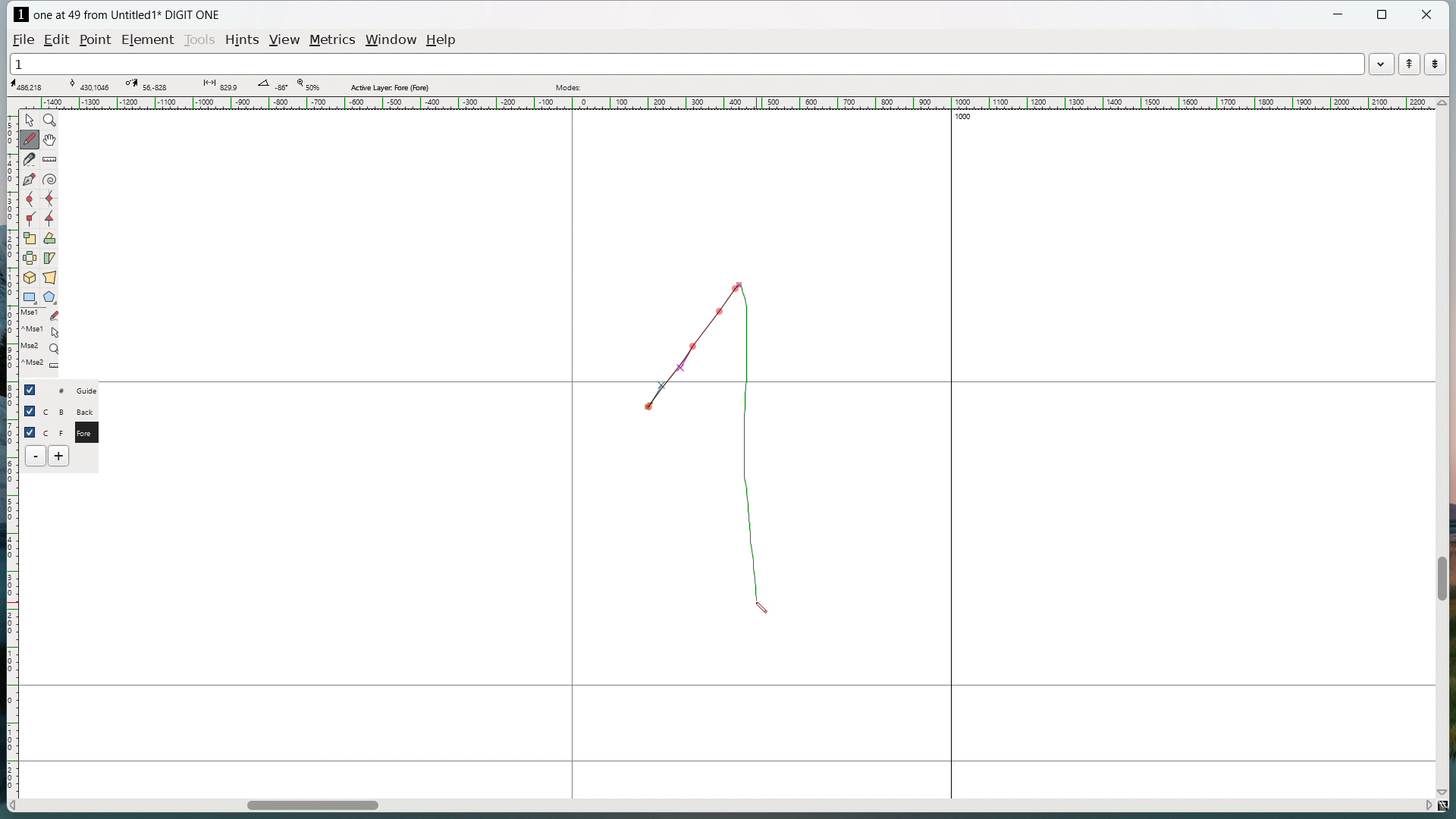  What do you see at coordinates (71, 409) in the screenshot?
I see `C B Back` at bounding box center [71, 409].